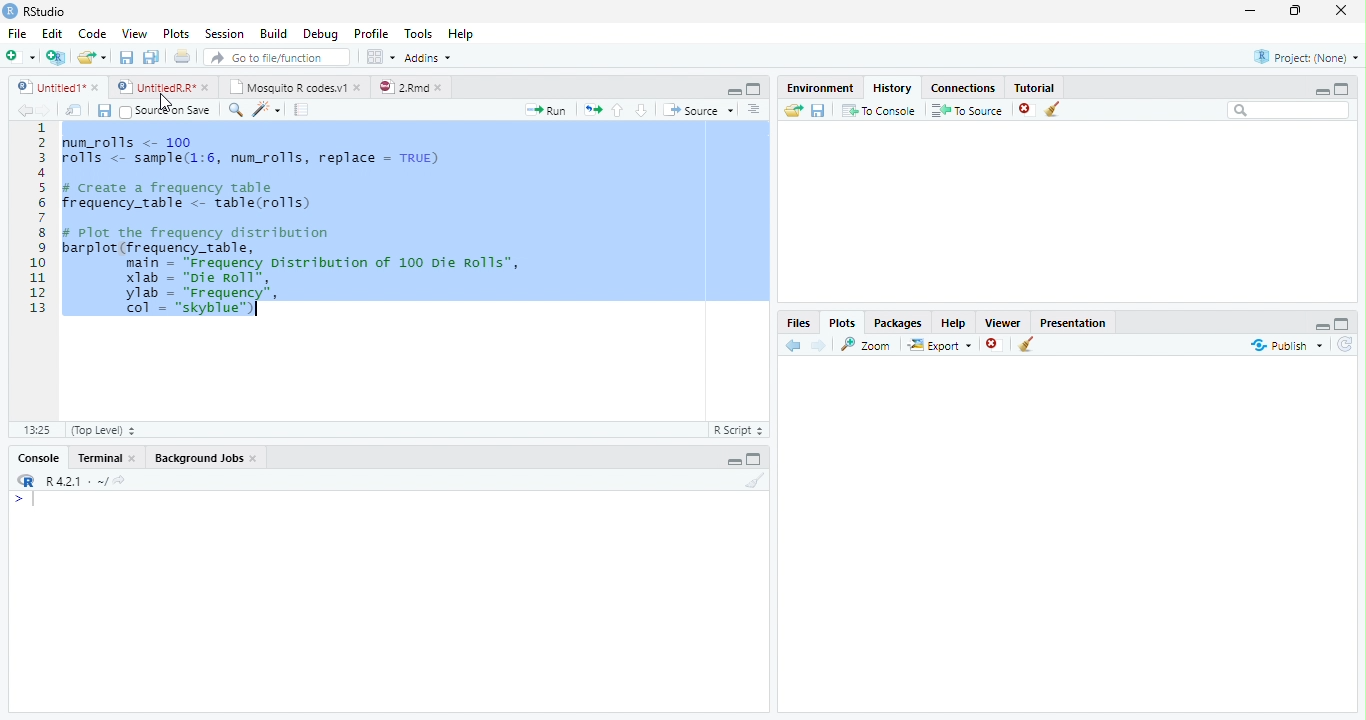 This screenshot has width=1366, height=720. What do you see at coordinates (731, 461) in the screenshot?
I see `Hide` at bounding box center [731, 461].